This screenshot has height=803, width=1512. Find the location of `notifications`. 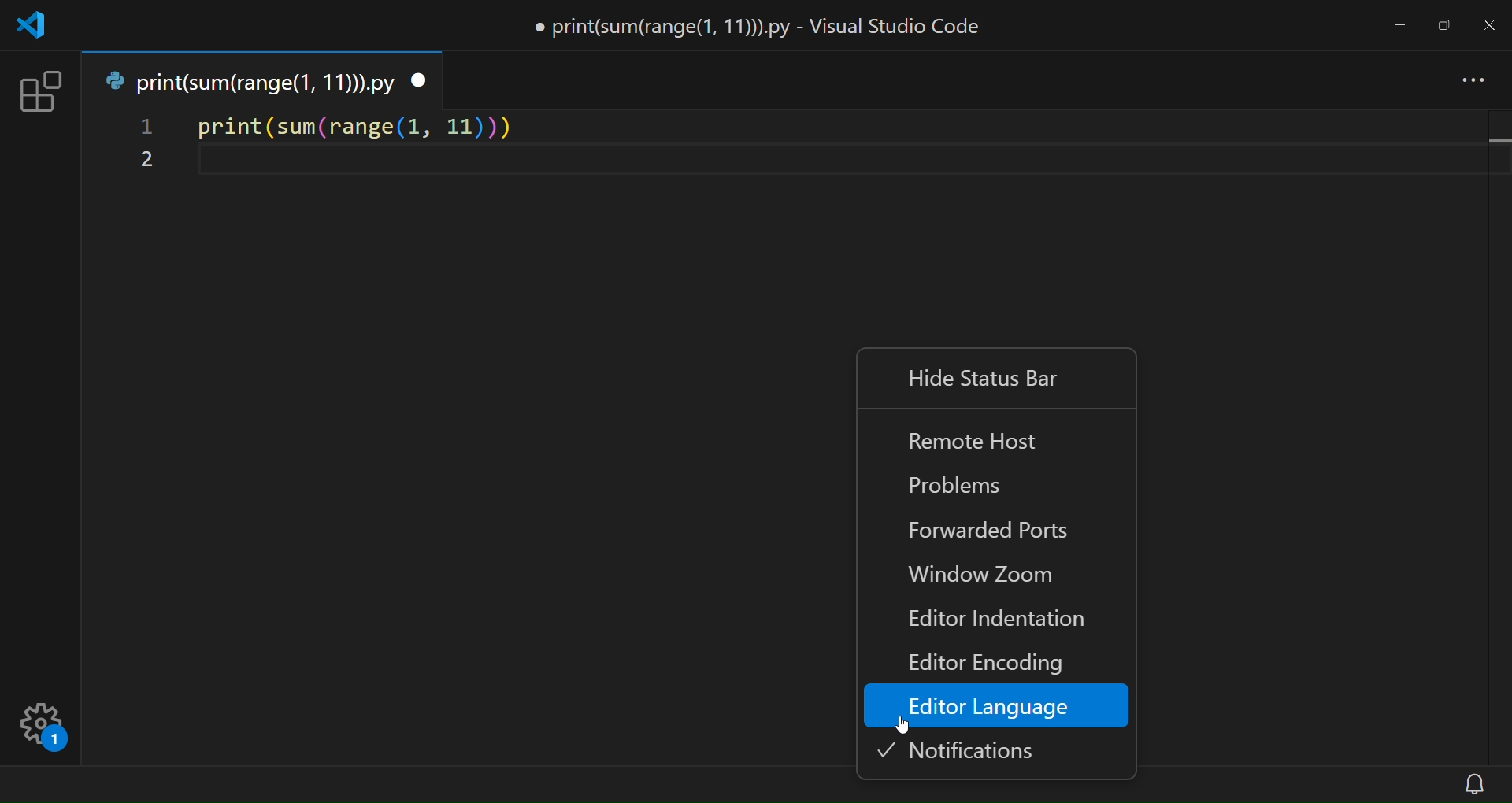

notifications is located at coordinates (1477, 783).